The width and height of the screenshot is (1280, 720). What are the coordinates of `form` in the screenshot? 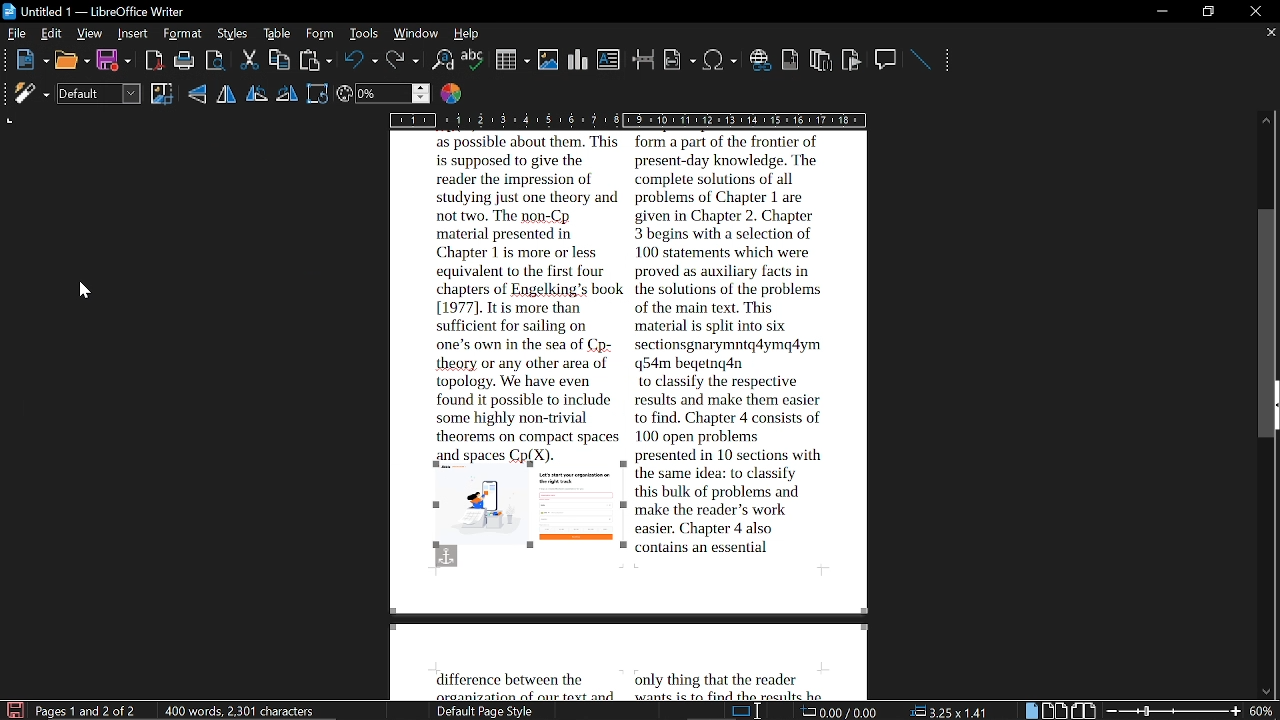 It's located at (322, 34).